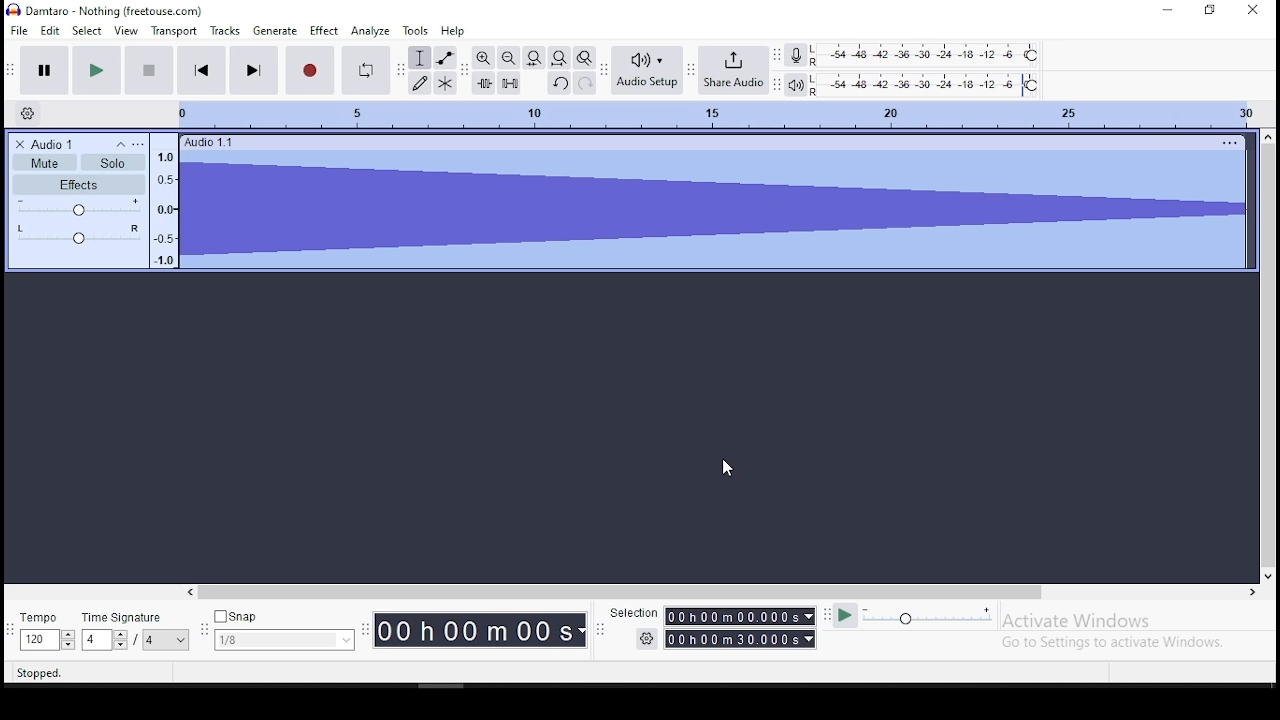 This screenshot has width=1280, height=720. Describe the element at coordinates (135, 630) in the screenshot. I see `time signature` at that location.